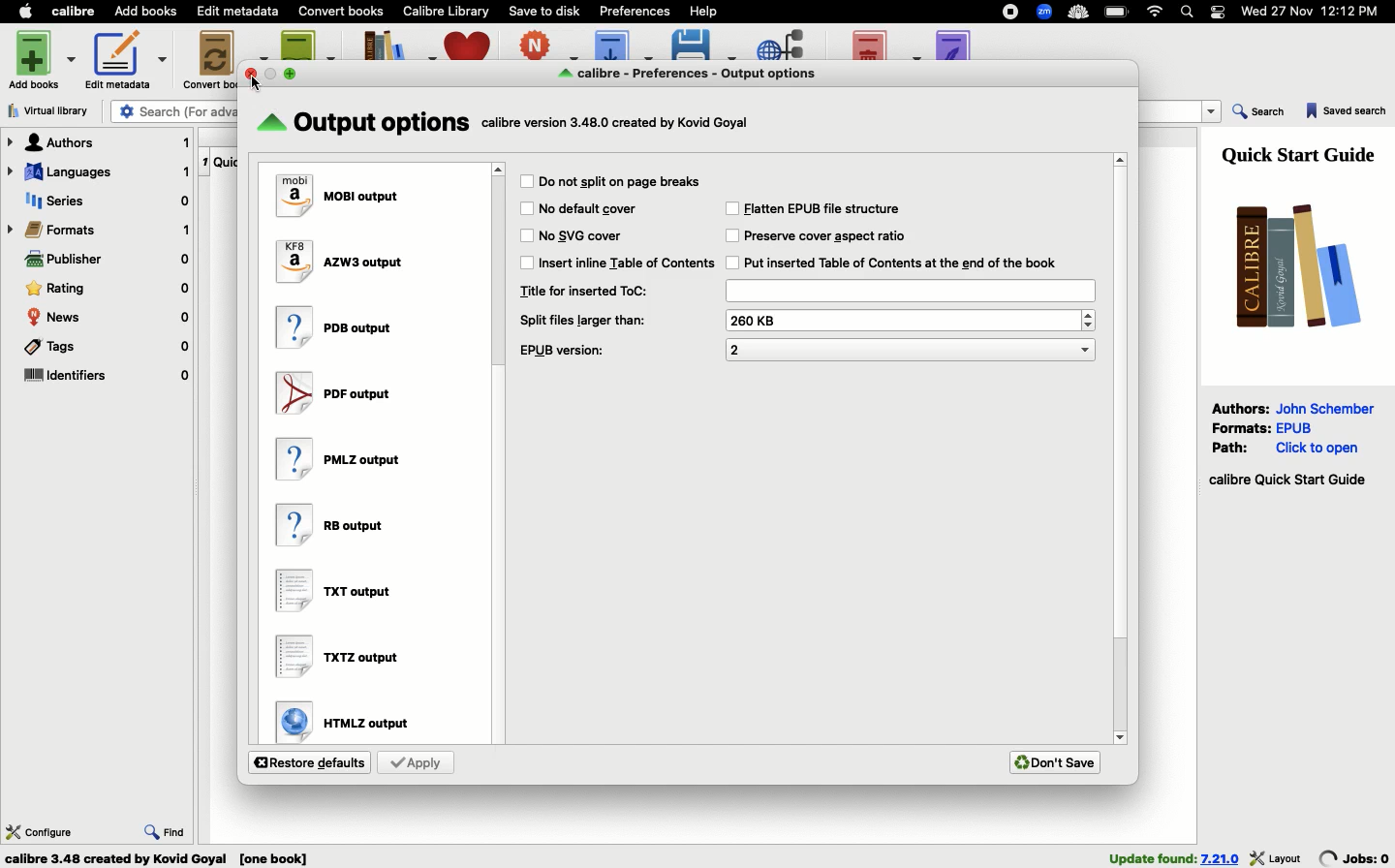 The height and width of the screenshot is (868, 1395). What do you see at coordinates (1347, 112) in the screenshot?
I see `Saved search` at bounding box center [1347, 112].